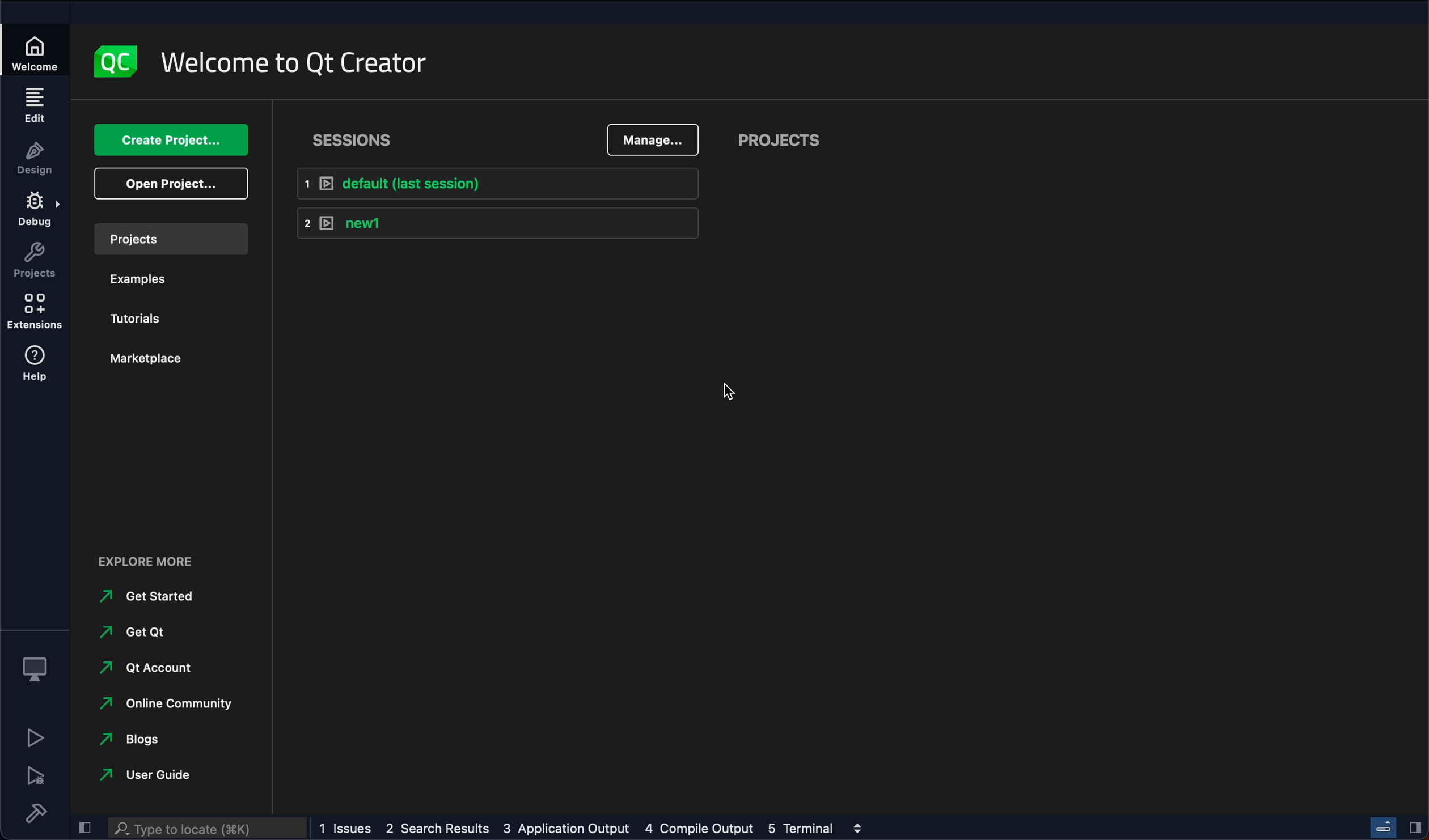  Describe the element at coordinates (120, 62) in the screenshot. I see `logo` at that location.